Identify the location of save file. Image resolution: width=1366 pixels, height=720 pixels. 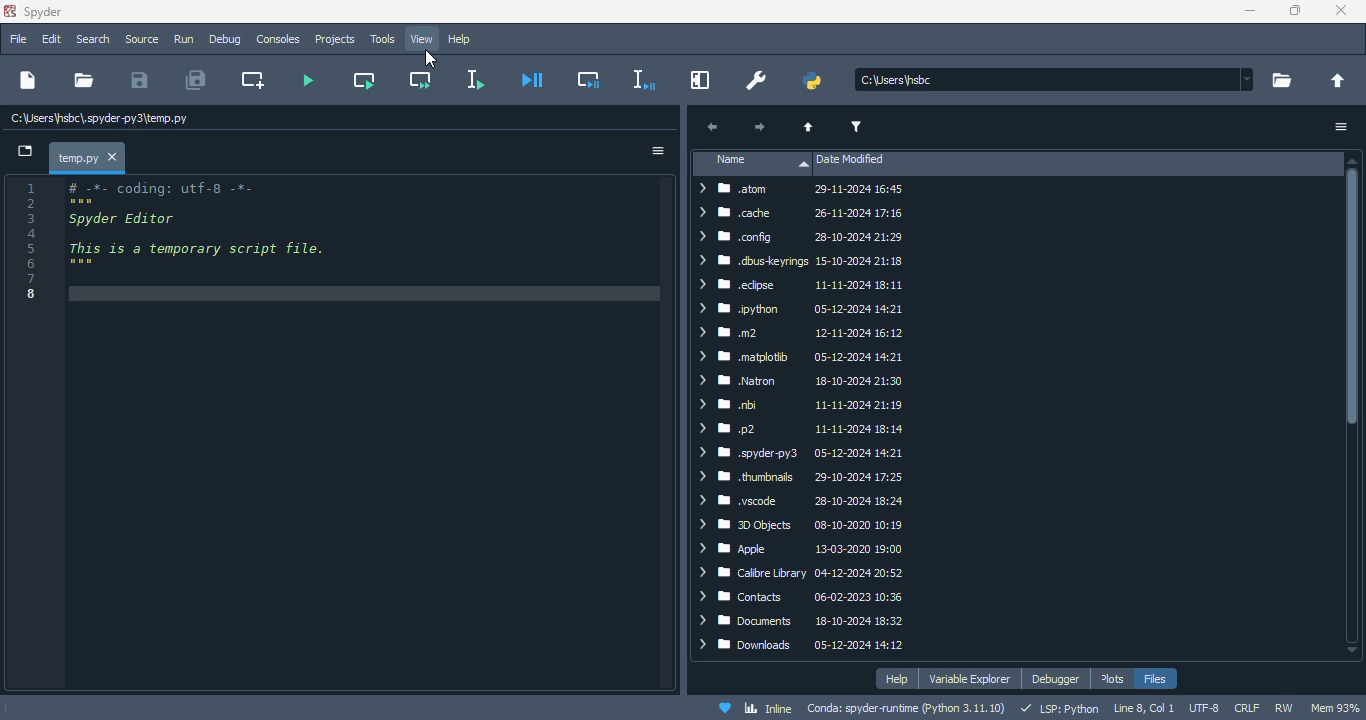
(138, 79).